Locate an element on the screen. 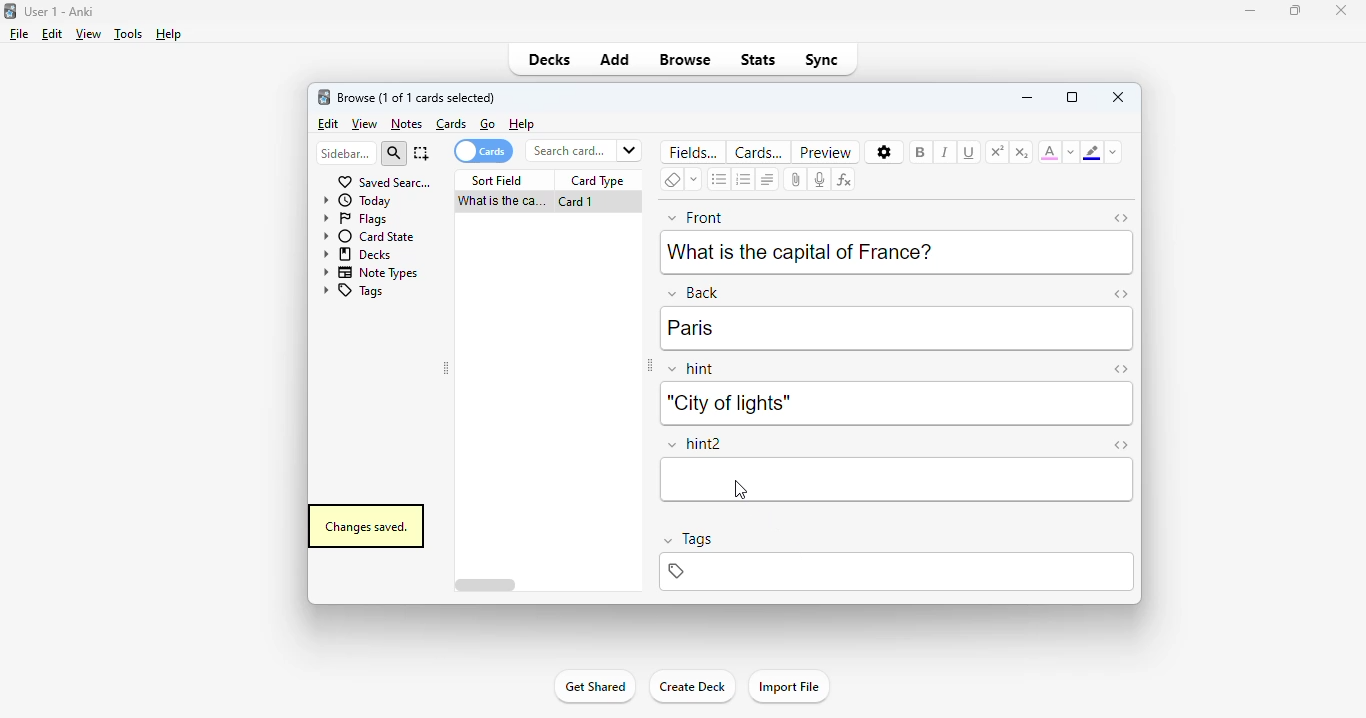  help is located at coordinates (167, 34).